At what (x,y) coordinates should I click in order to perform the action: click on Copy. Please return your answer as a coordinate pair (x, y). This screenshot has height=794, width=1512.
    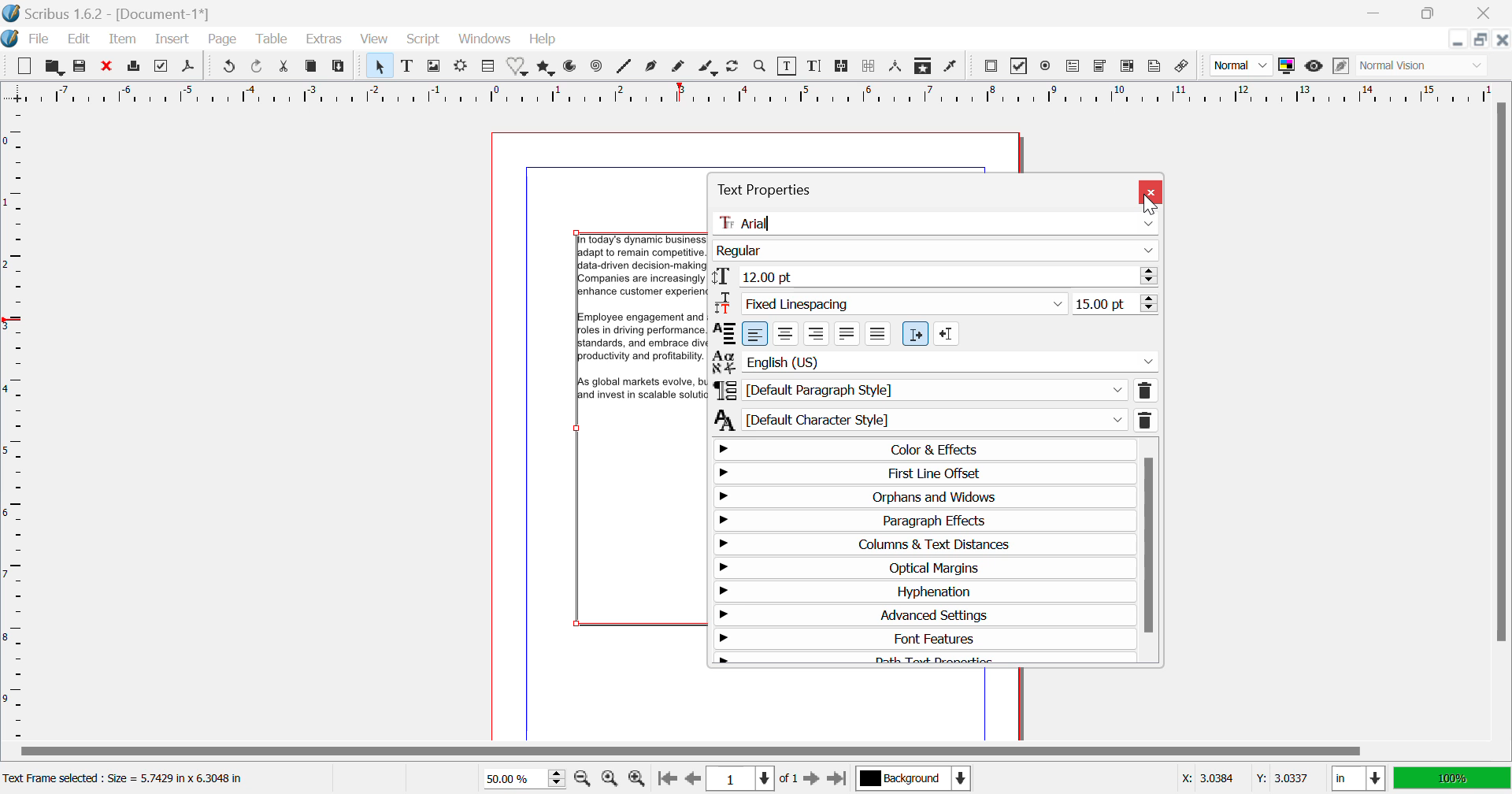
    Looking at the image, I should click on (313, 66).